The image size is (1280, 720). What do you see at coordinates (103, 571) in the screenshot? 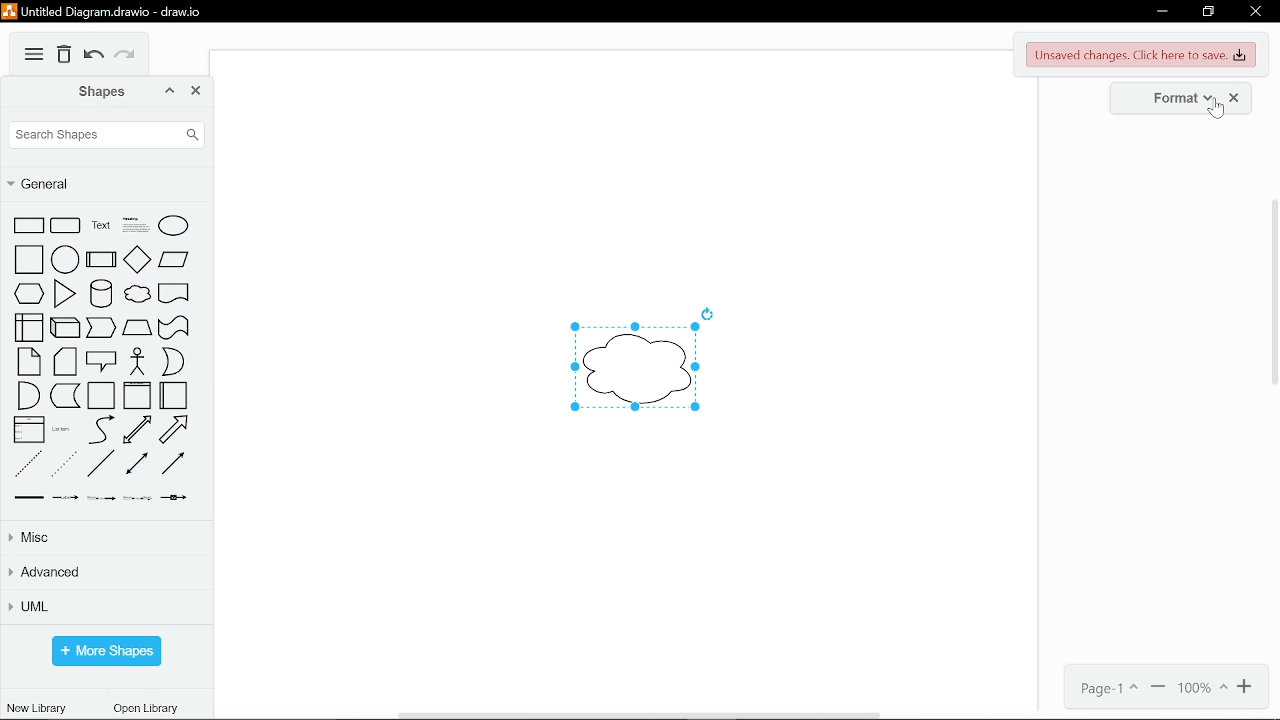
I see `advanced` at bounding box center [103, 571].